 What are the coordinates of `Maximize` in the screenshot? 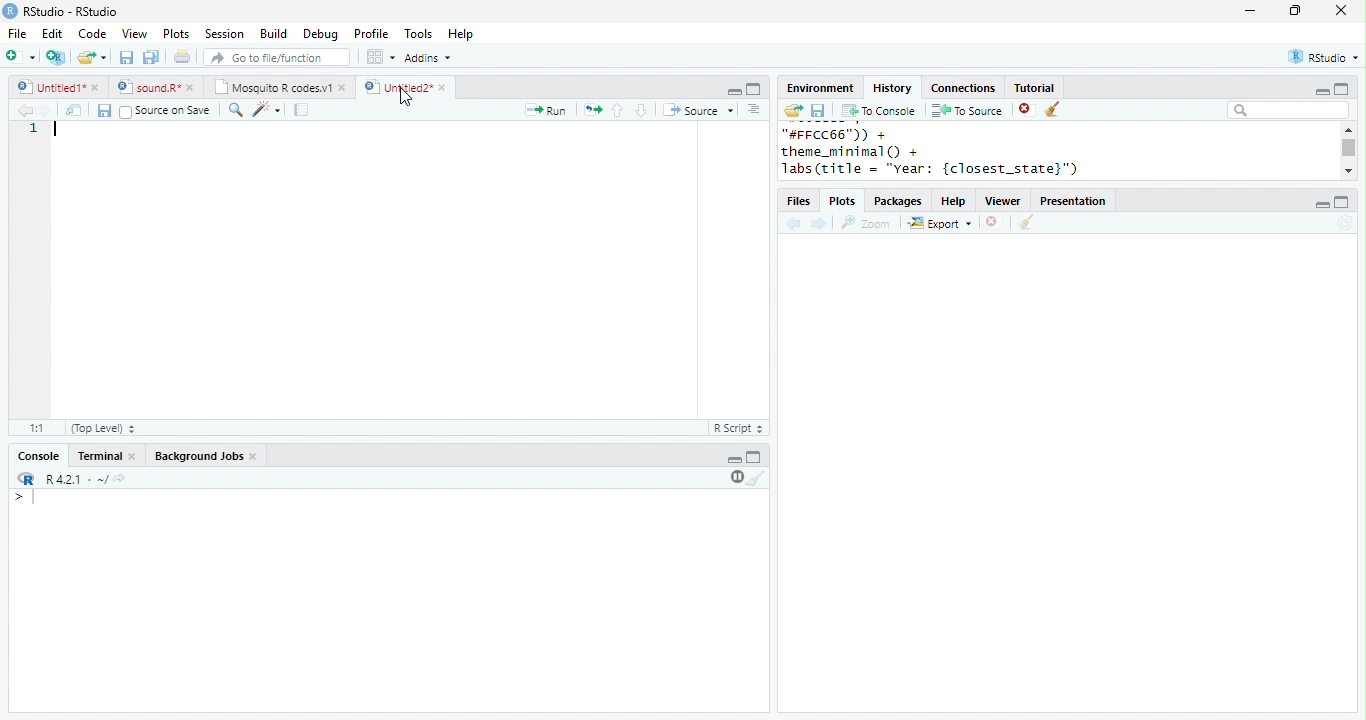 It's located at (754, 457).